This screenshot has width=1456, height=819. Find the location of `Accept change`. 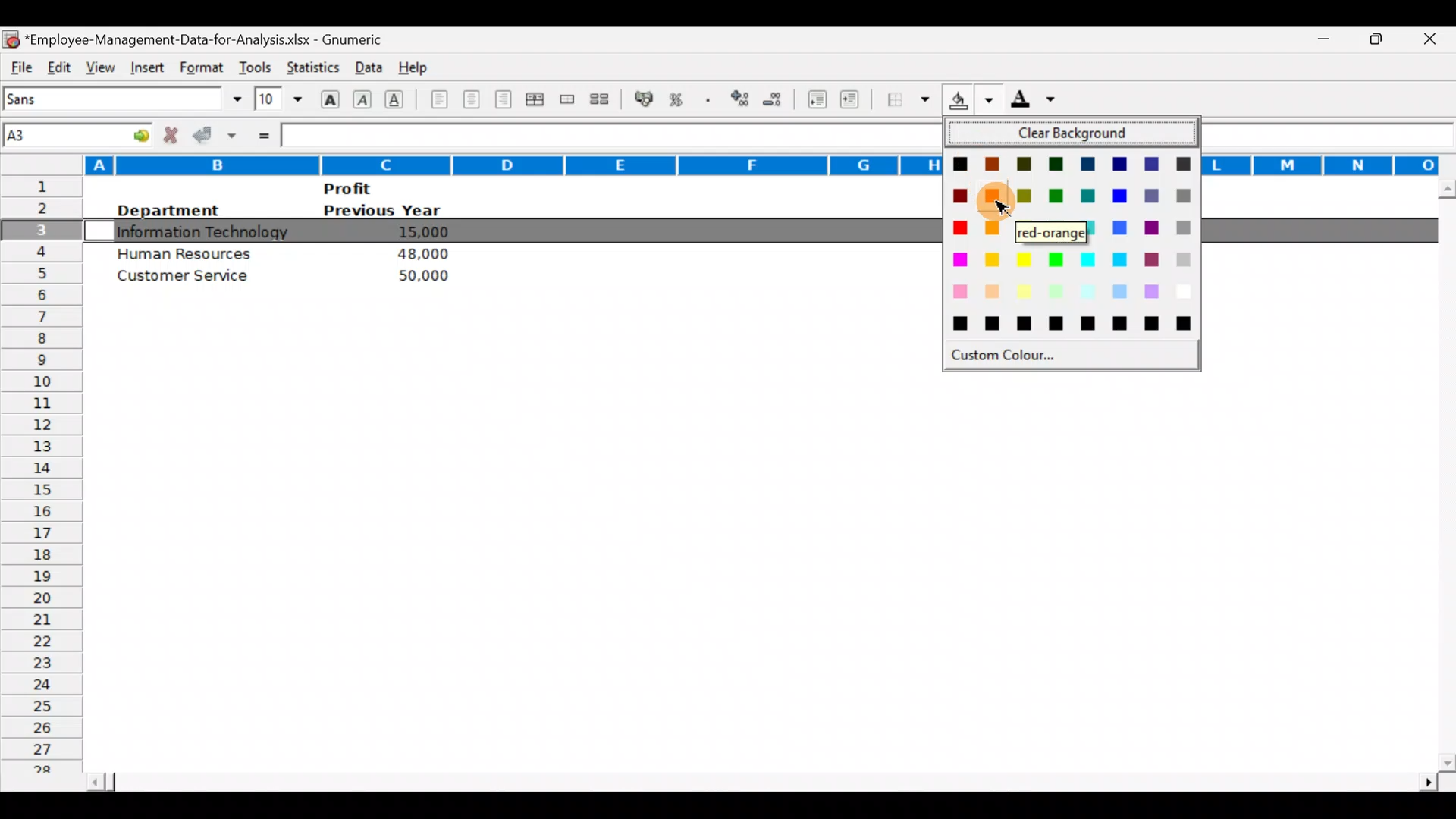

Accept change is located at coordinates (217, 134).